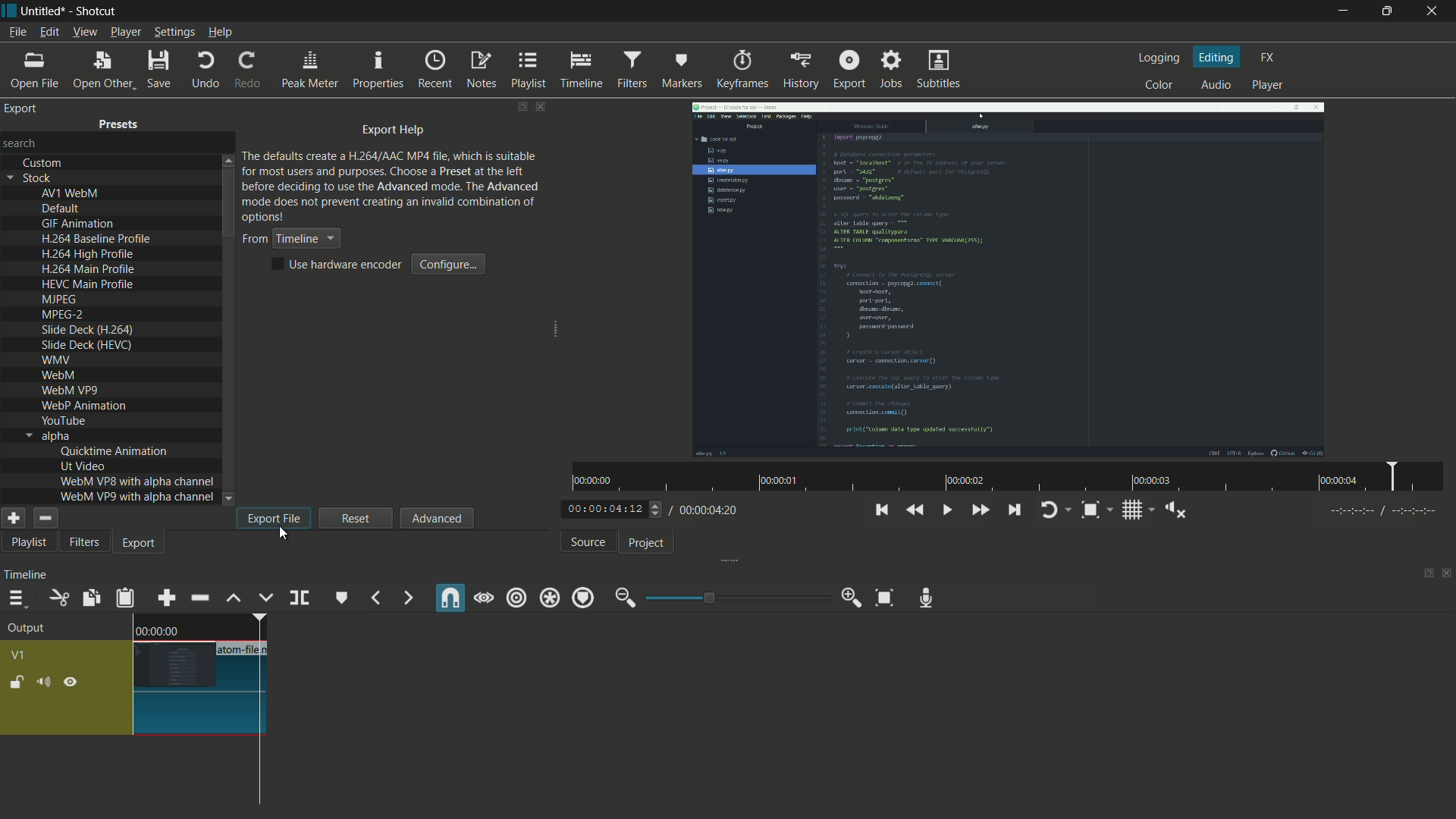 This screenshot has height=819, width=1456. Describe the element at coordinates (584, 599) in the screenshot. I see `ripple markers` at that location.